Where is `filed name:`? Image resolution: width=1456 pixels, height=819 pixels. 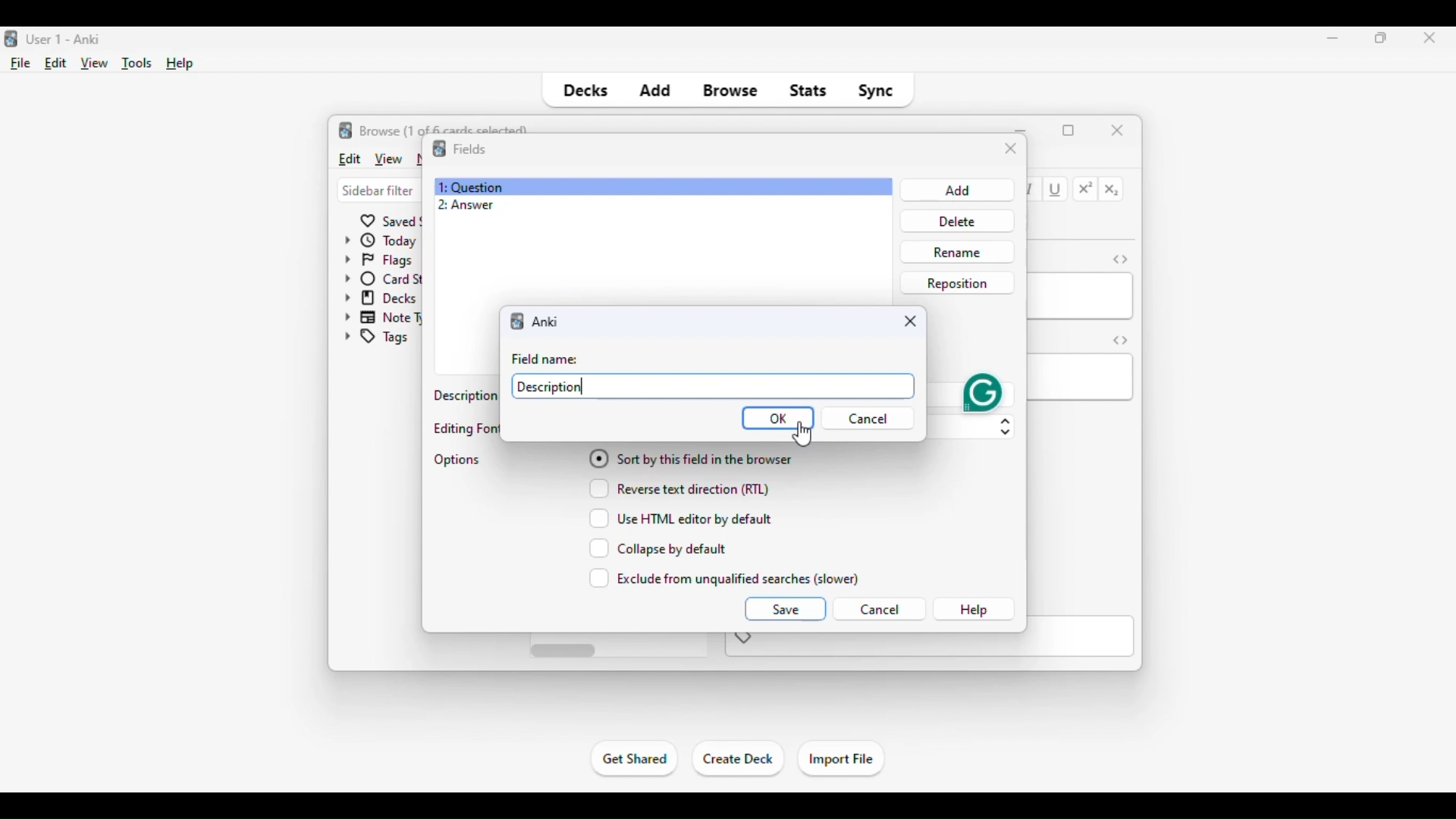
filed name: is located at coordinates (548, 359).